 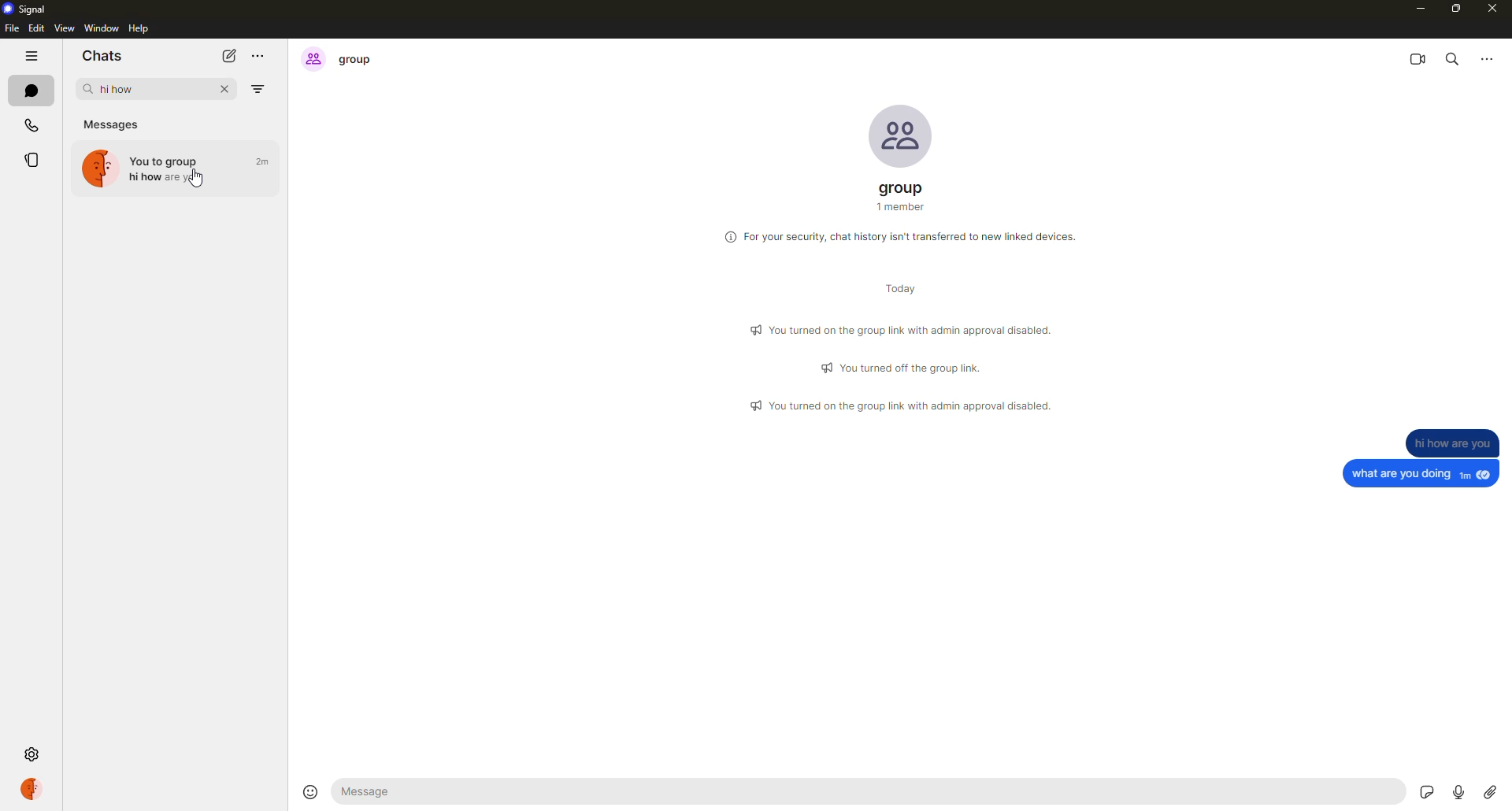 I want to click on info, so click(x=904, y=328).